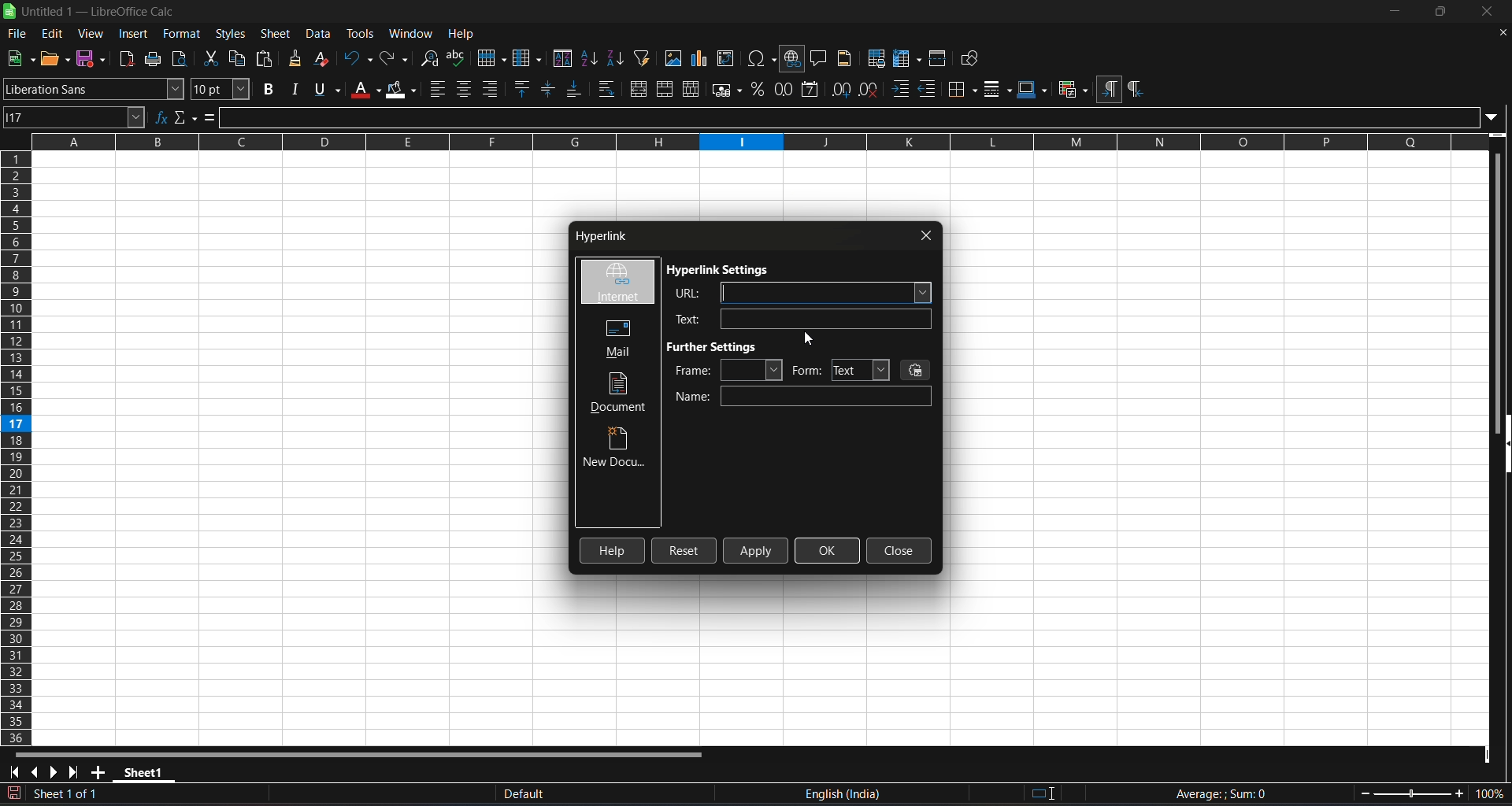 The width and height of the screenshot is (1512, 806). What do you see at coordinates (917, 369) in the screenshot?
I see `events` at bounding box center [917, 369].